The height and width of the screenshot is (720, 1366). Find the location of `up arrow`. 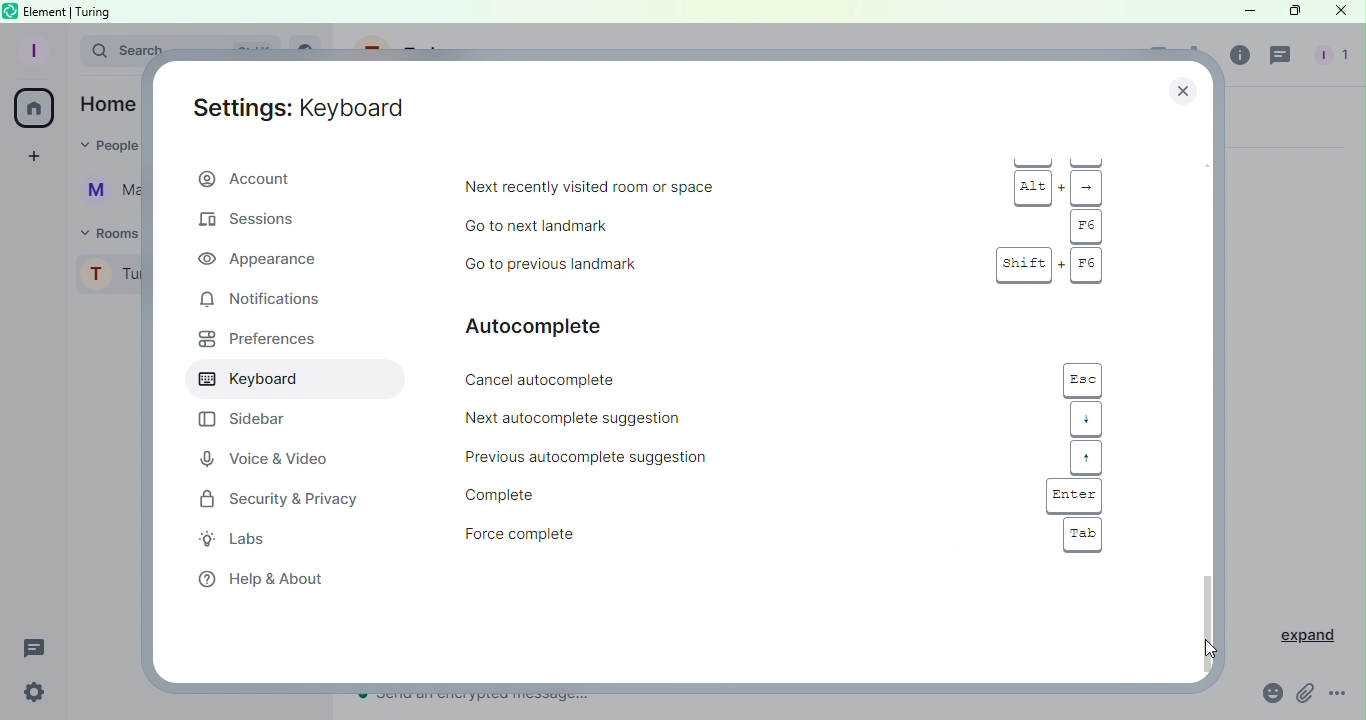

up arrow is located at coordinates (1086, 457).